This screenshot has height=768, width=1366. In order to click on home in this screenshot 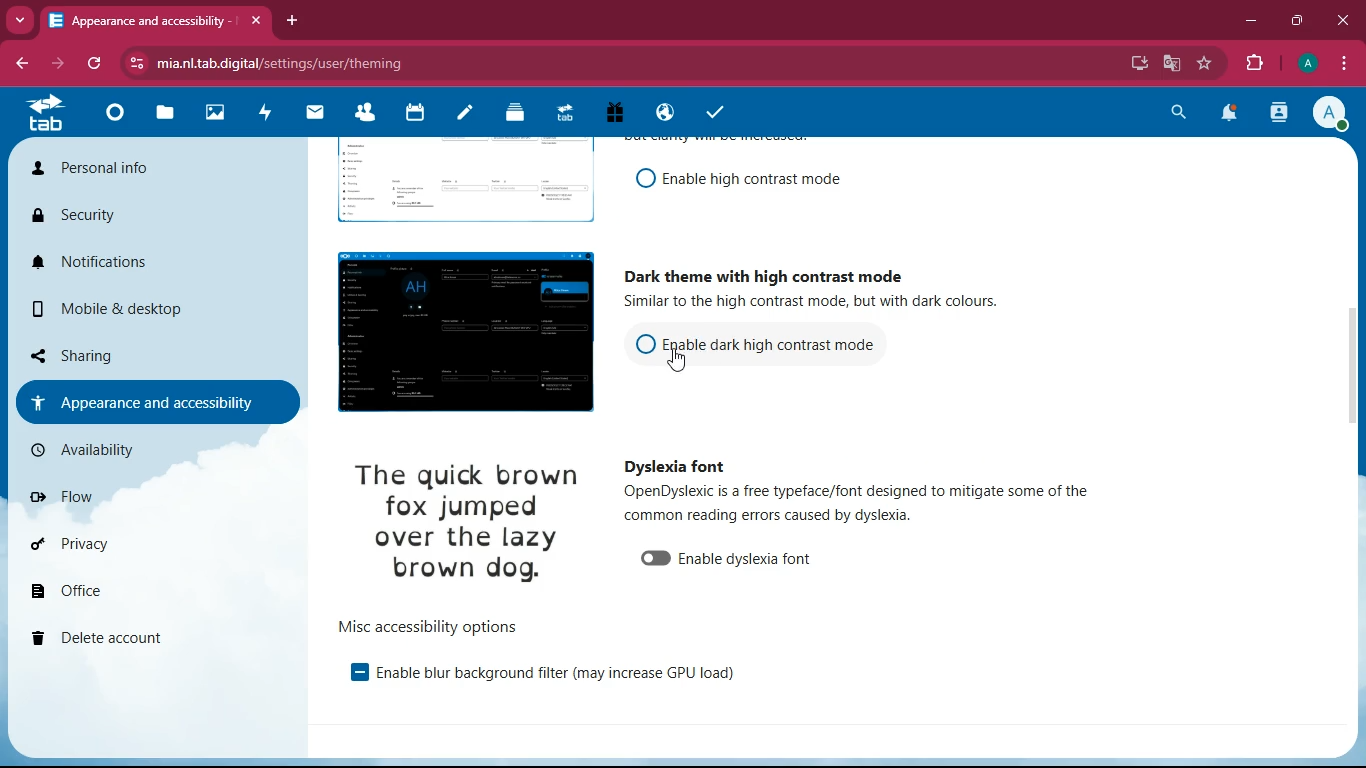, I will do `click(120, 117)`.